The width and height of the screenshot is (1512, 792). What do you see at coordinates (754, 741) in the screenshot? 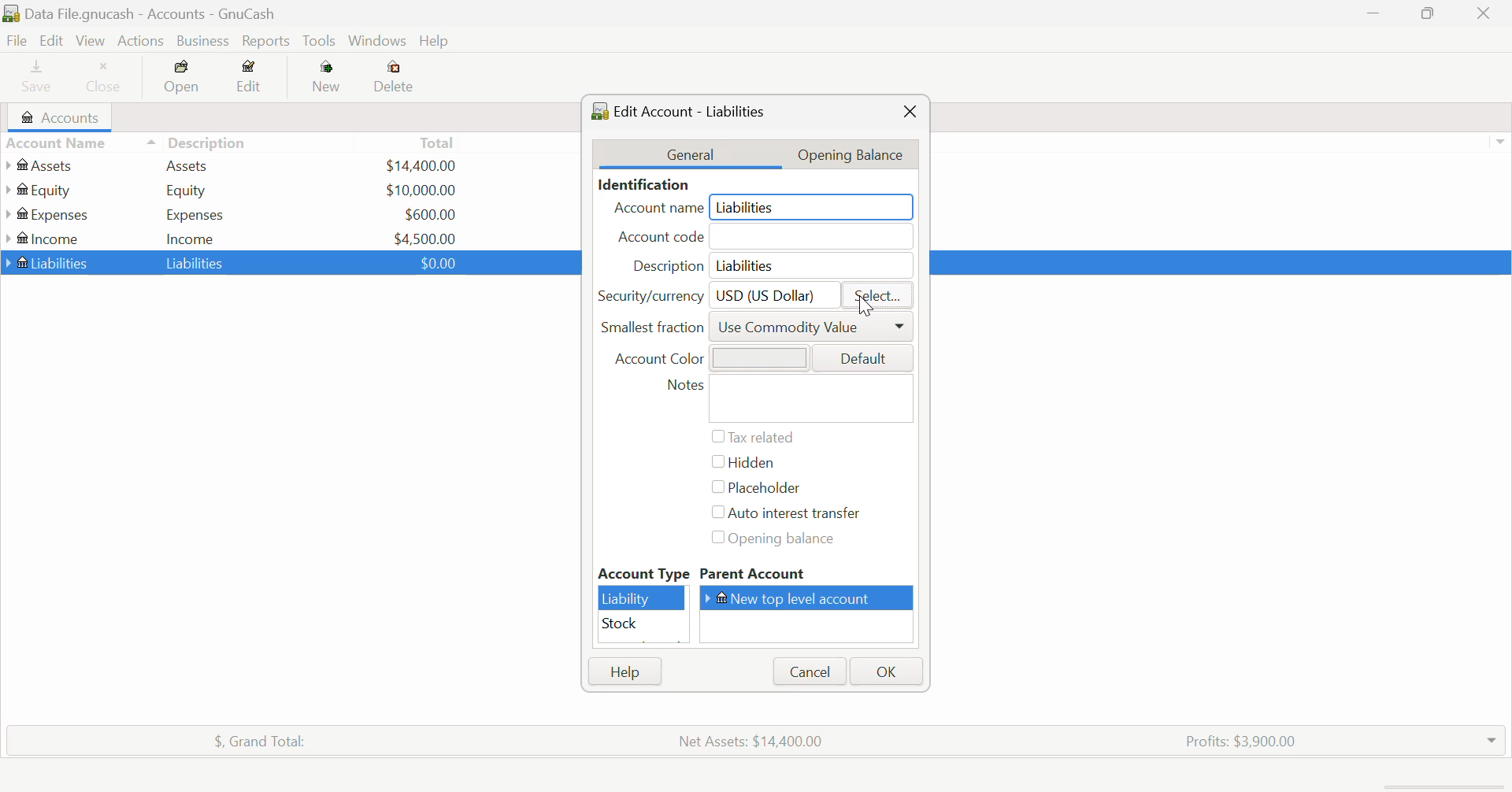
I see `Net Assets` at bounding box center [754, 741].